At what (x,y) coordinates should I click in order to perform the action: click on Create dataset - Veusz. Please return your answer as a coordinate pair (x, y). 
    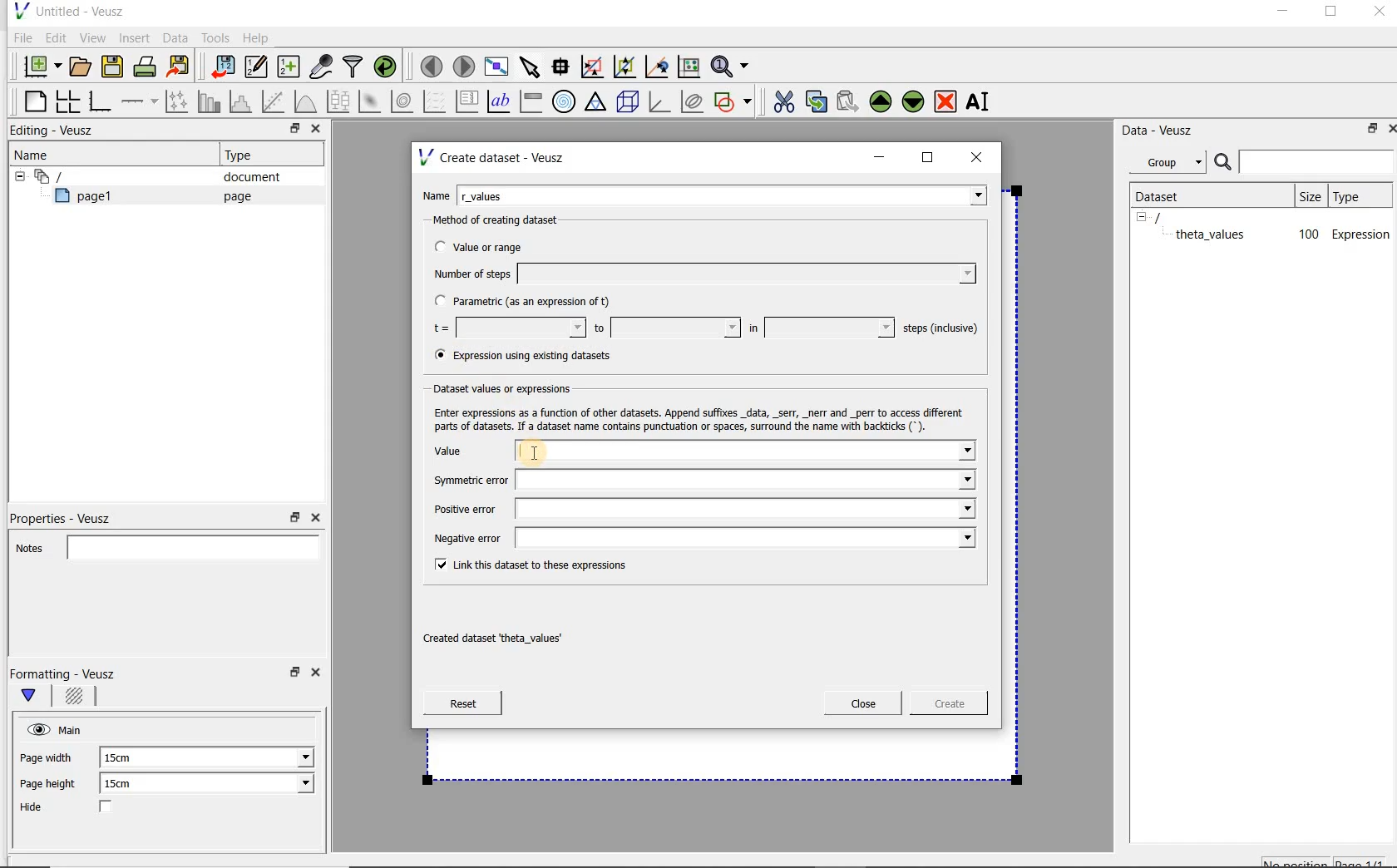
    Looking at the image, I should click on (494, 157).